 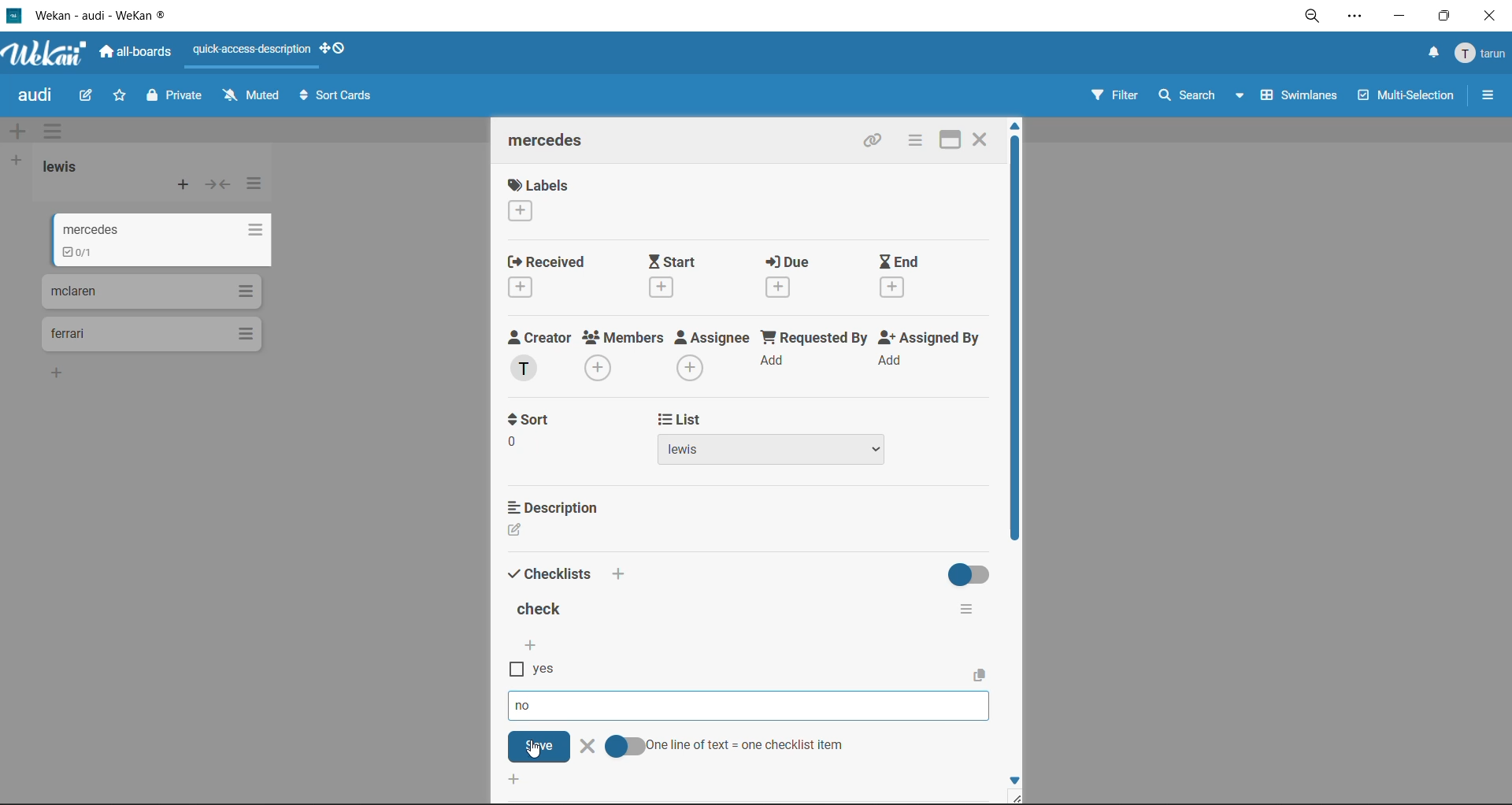 I want to click on cards, so click(x=150, y=335).